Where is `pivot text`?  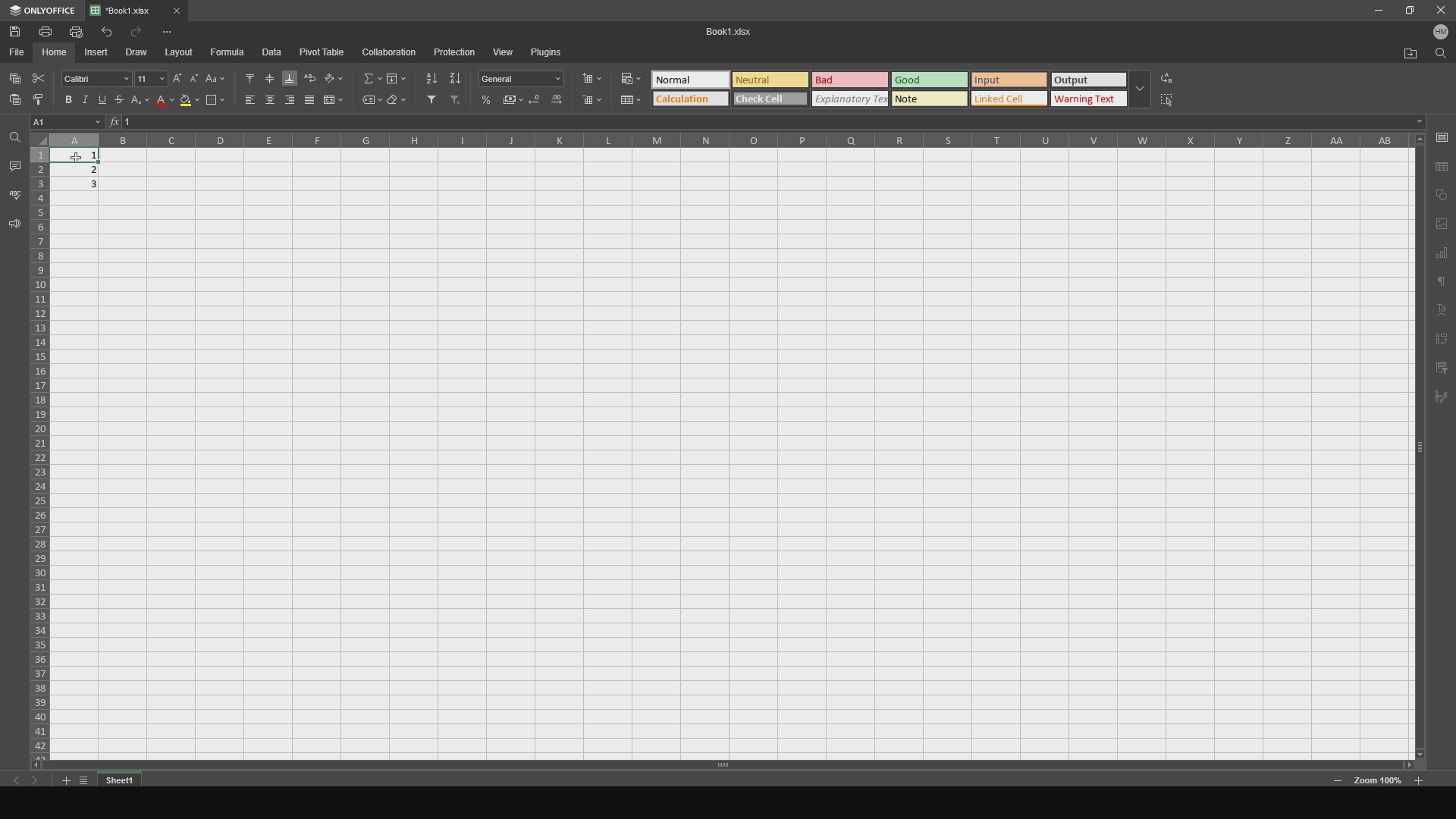 pivot text is located at coordinates (1444, 339).